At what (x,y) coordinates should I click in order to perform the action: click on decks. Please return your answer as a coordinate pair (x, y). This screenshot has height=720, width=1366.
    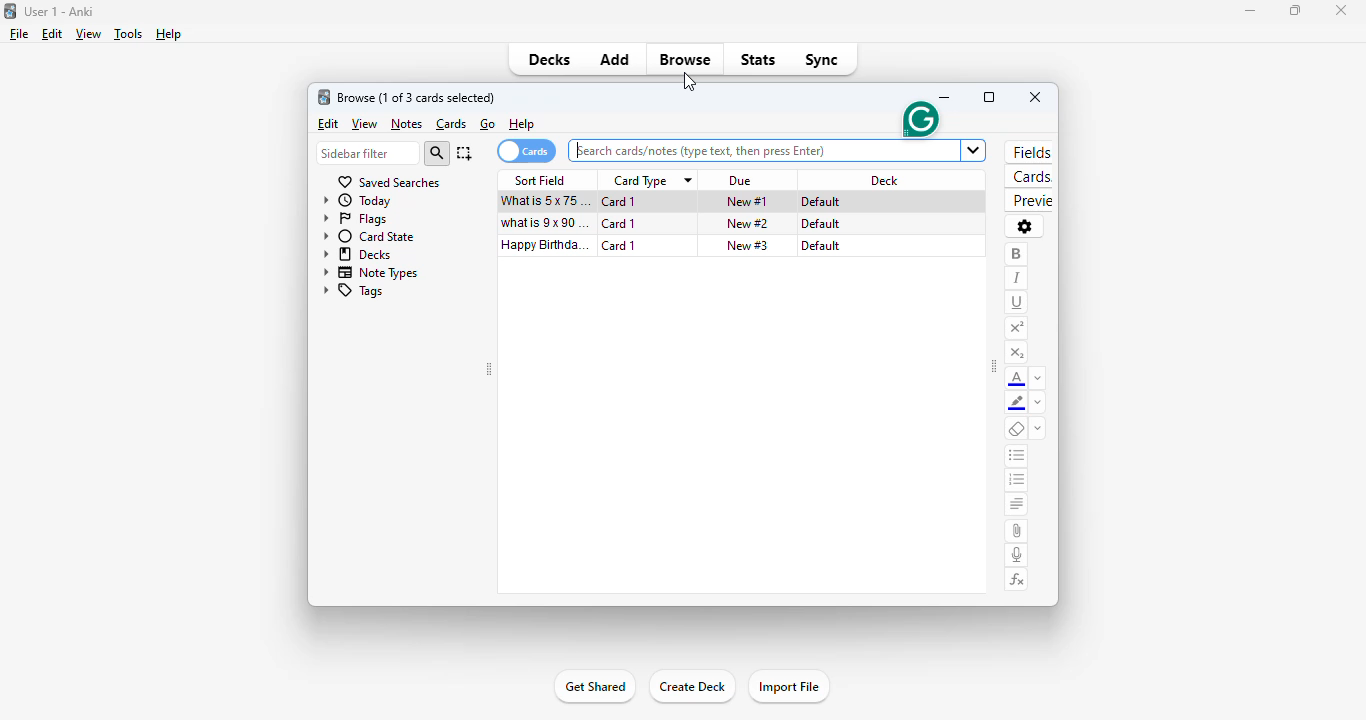
    Looking at the image, I should click on (548, 59).